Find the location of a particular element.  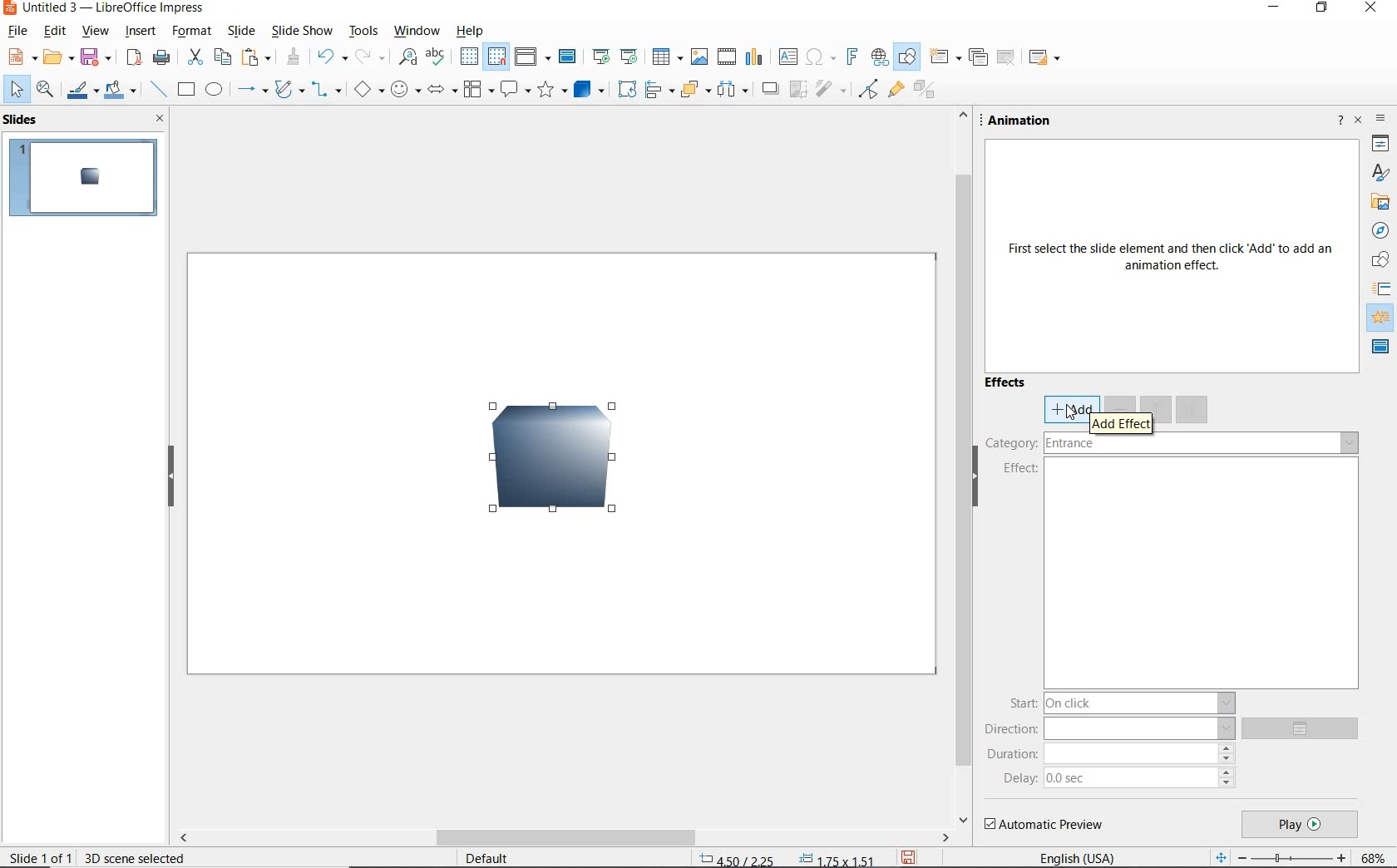

start is located at coordinates (1120, 702).